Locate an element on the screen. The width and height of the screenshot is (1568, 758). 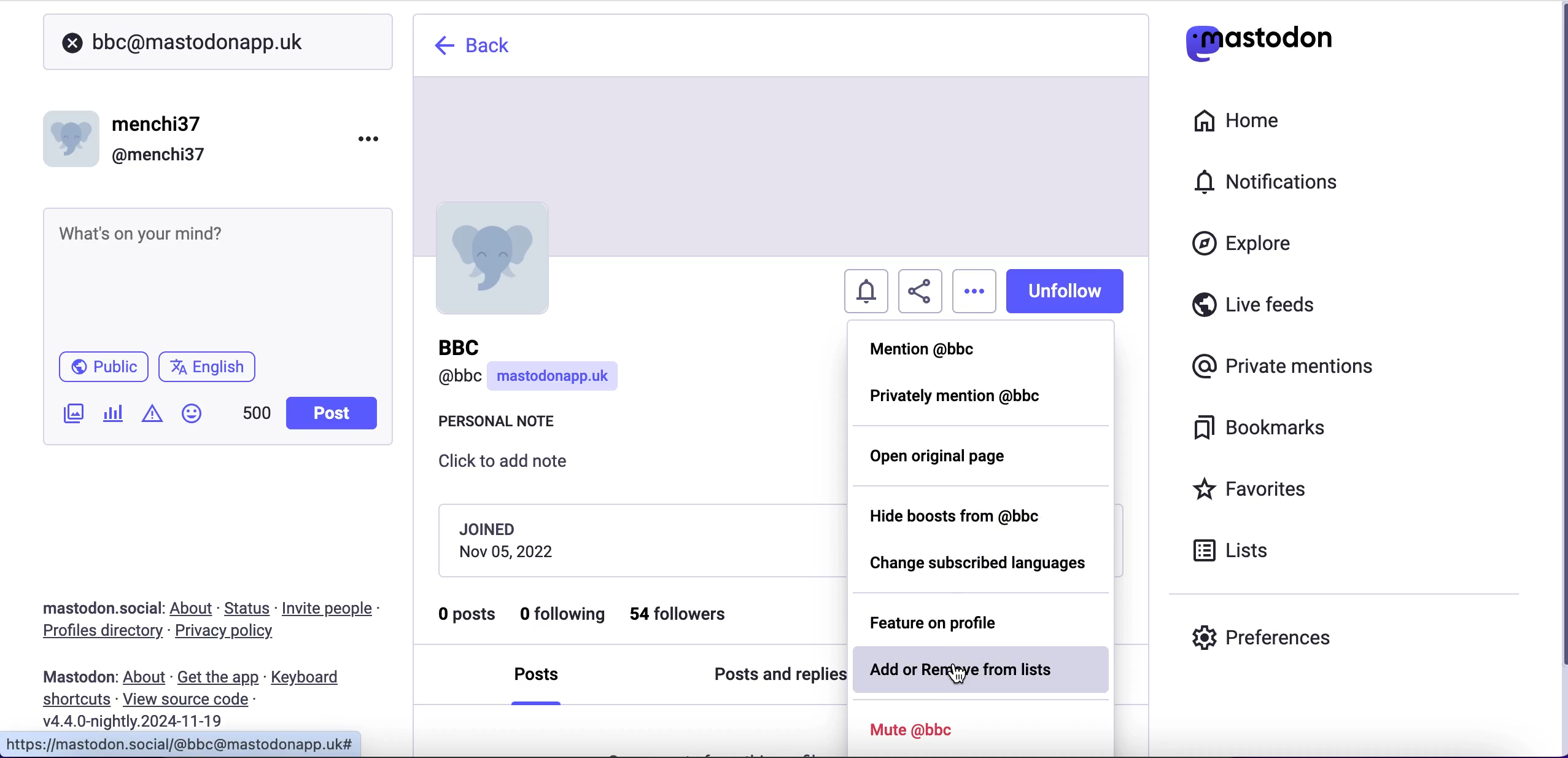
public is located at coordinates (102, 370).